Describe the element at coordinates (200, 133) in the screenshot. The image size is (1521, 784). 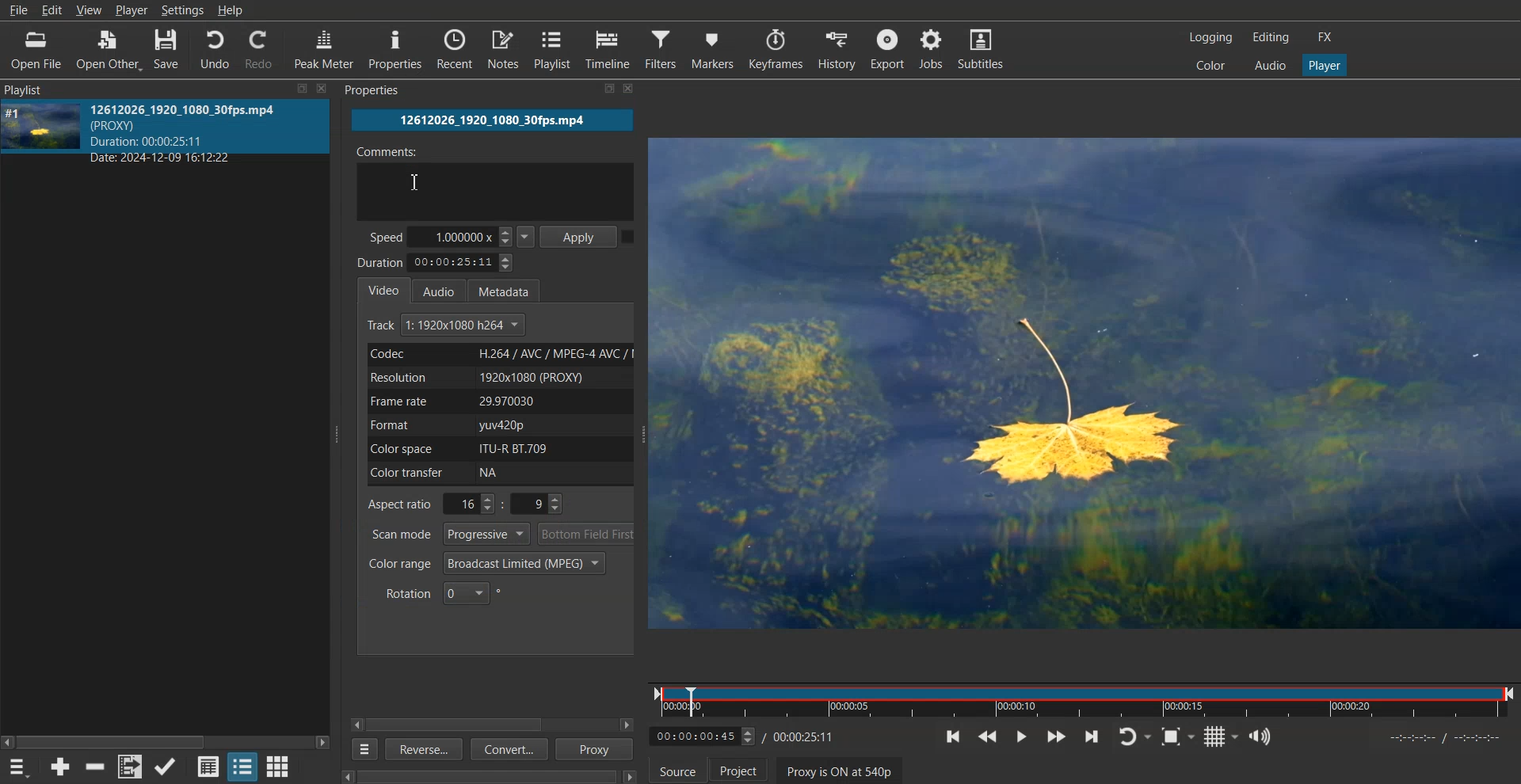
I see `MP4 info` at that location.